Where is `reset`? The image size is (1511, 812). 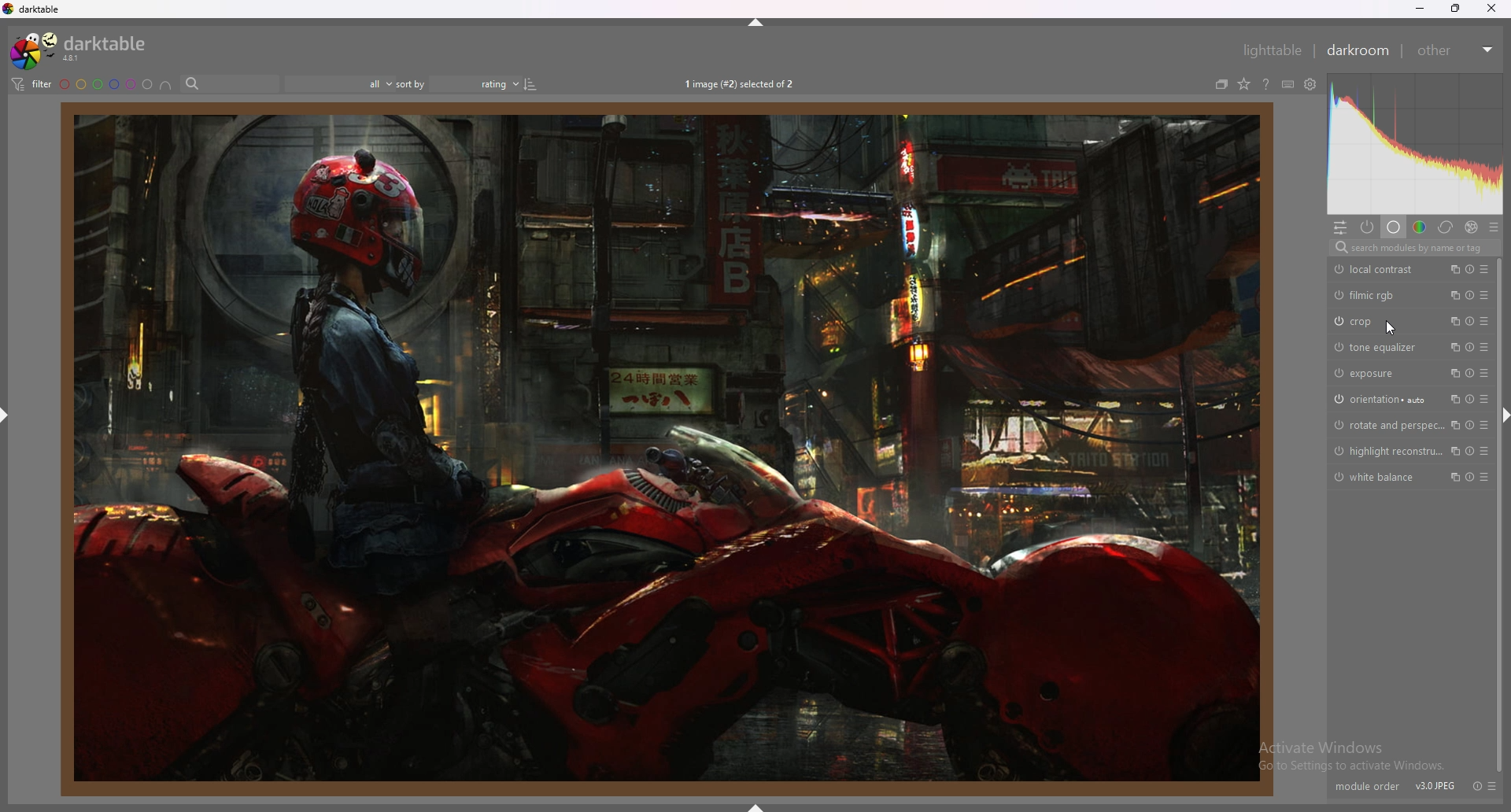
reset is located at coordinates (1469, 451).